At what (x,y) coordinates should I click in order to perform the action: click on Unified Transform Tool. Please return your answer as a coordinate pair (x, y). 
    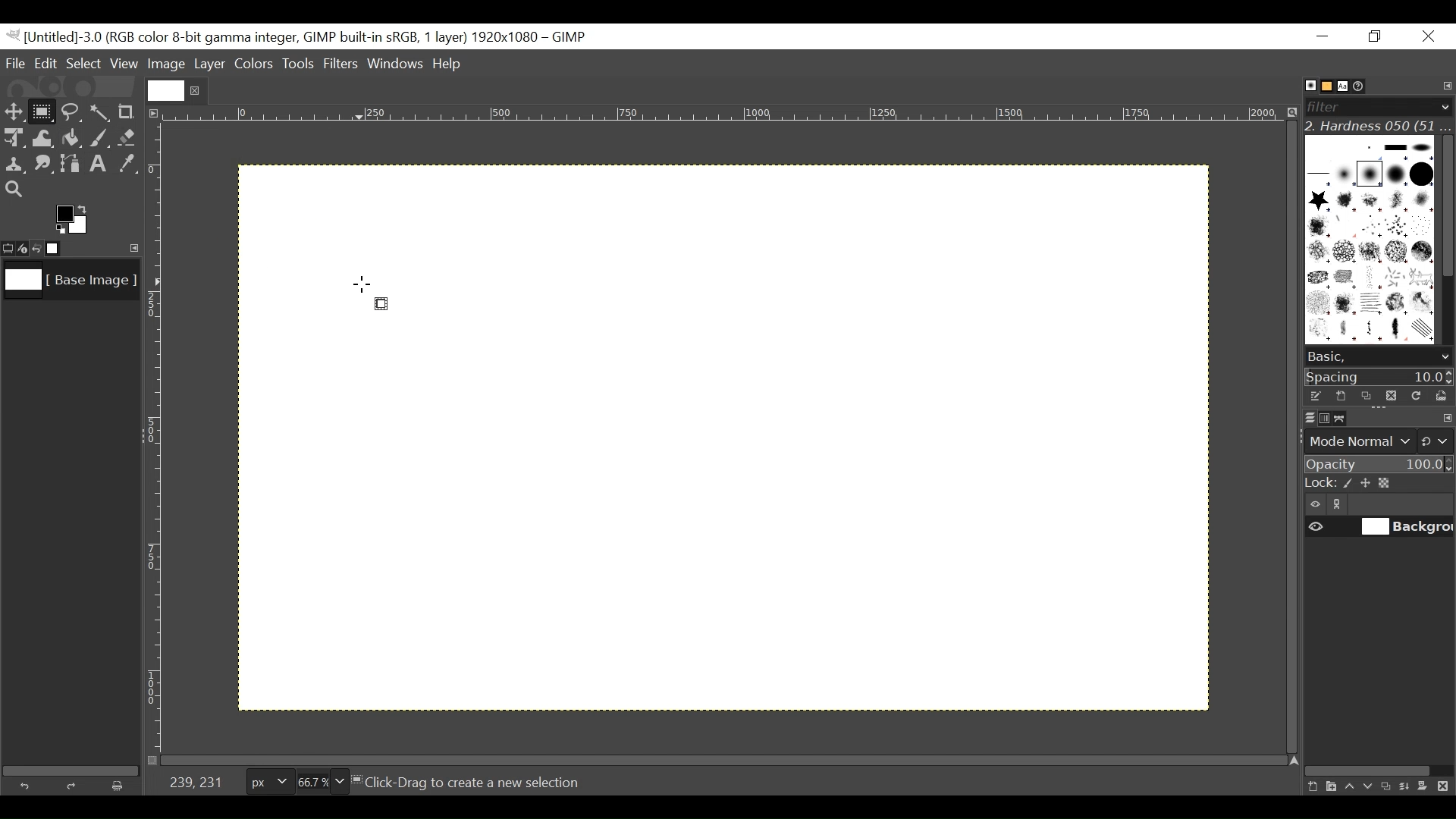
    Looking at the image, I should click on (13, 137).